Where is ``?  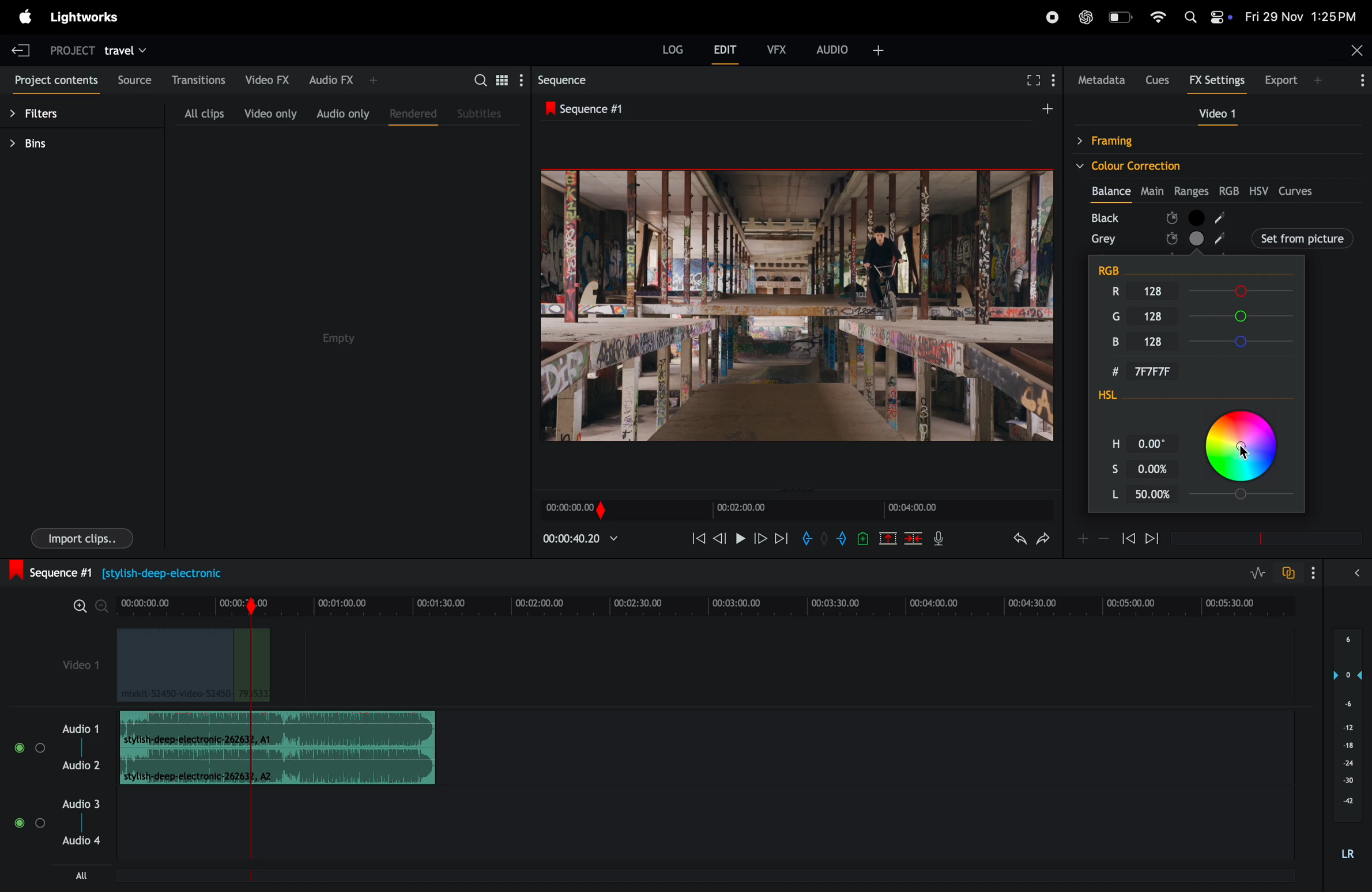
 is located at coordinates (846, 48).